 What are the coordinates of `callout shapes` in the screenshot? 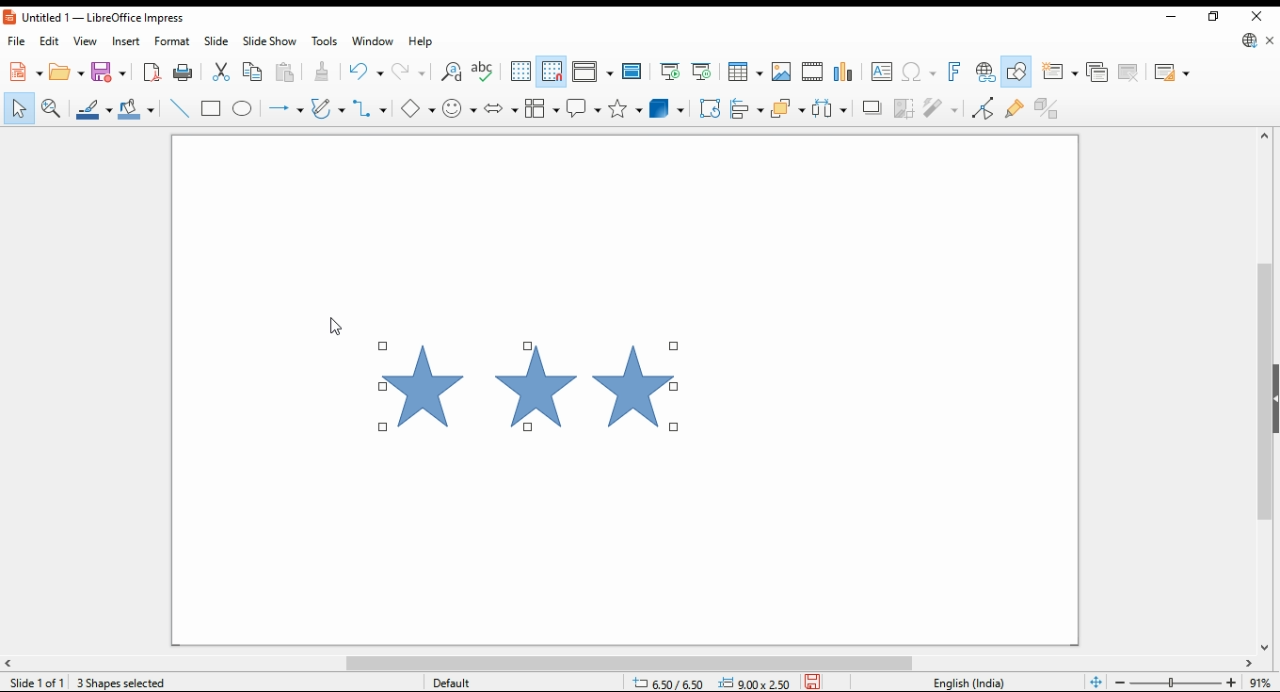 It's located at (583, 108).